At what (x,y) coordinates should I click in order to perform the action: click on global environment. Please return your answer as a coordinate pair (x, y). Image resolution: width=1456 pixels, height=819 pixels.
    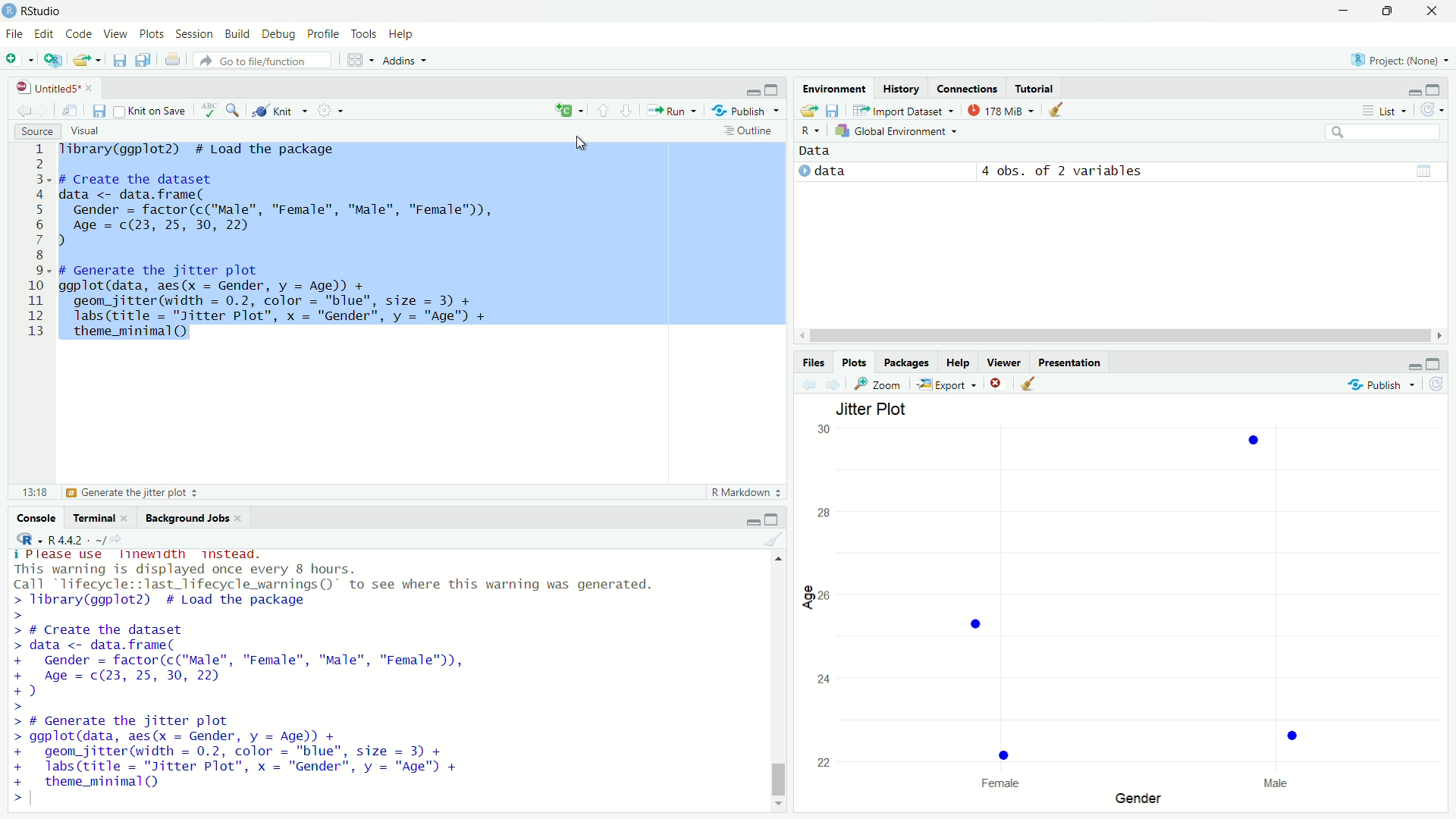
    Looking at the image, I should click on (899, 132).